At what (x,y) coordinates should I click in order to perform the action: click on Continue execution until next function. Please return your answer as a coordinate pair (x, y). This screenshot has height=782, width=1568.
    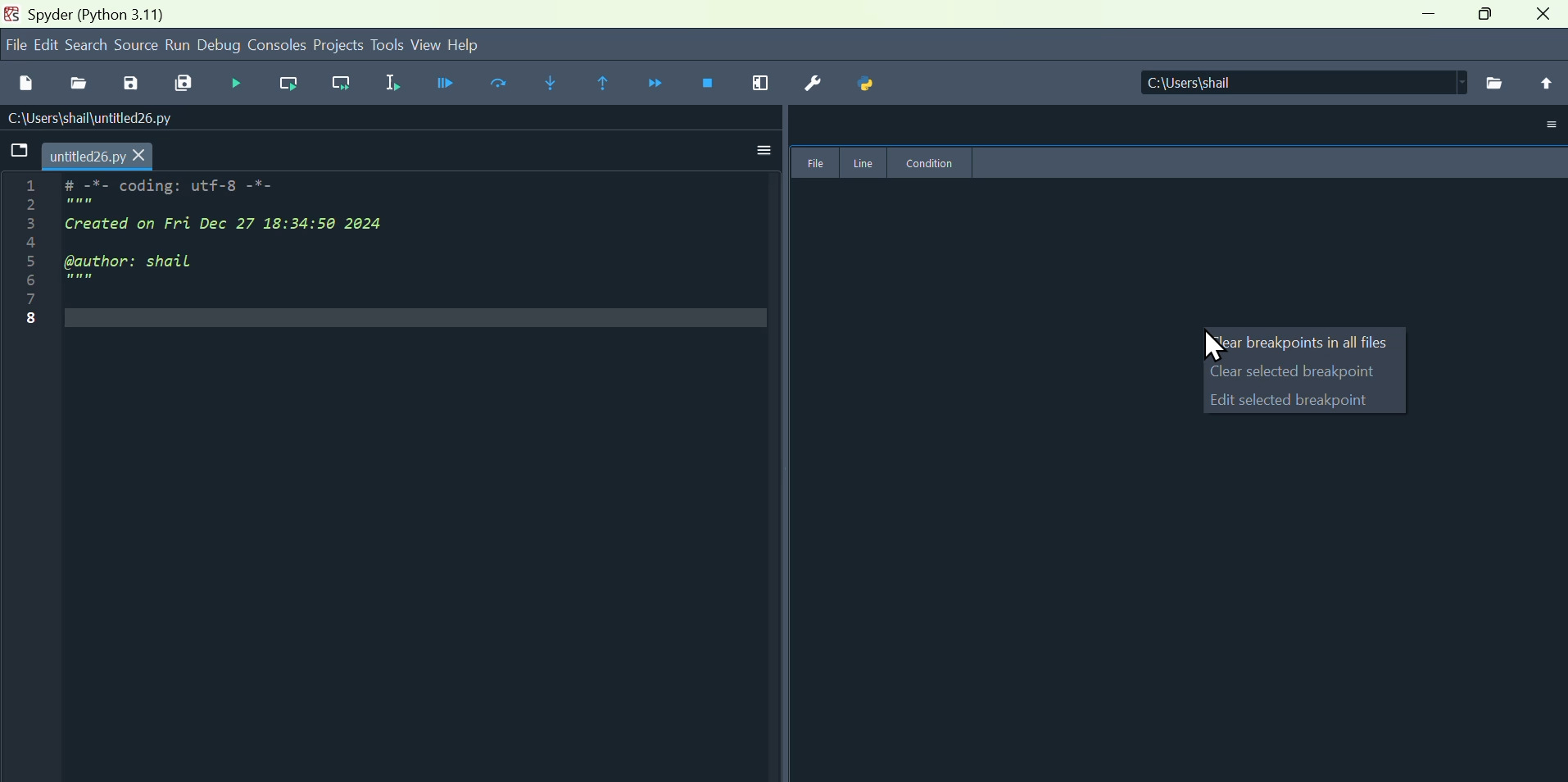
    Looking at the image, I should click on (661, 83).